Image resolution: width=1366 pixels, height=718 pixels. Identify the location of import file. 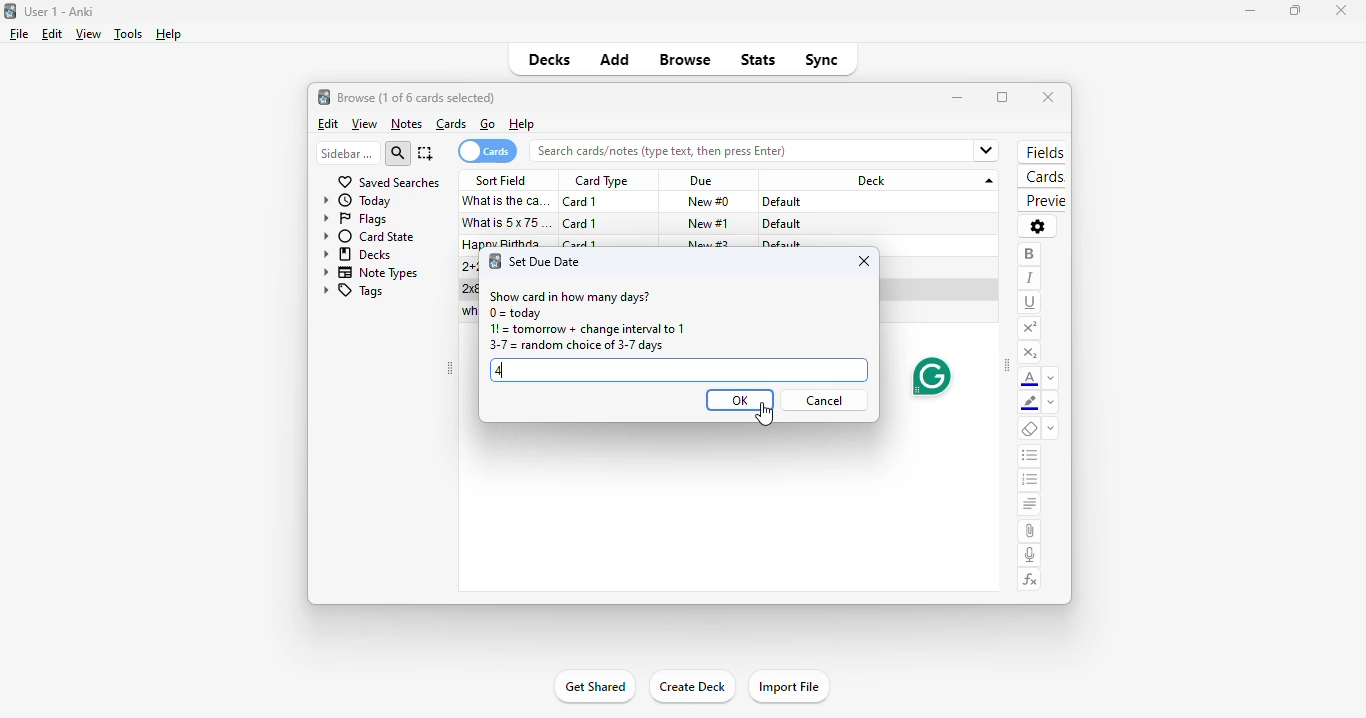
(789, 686).